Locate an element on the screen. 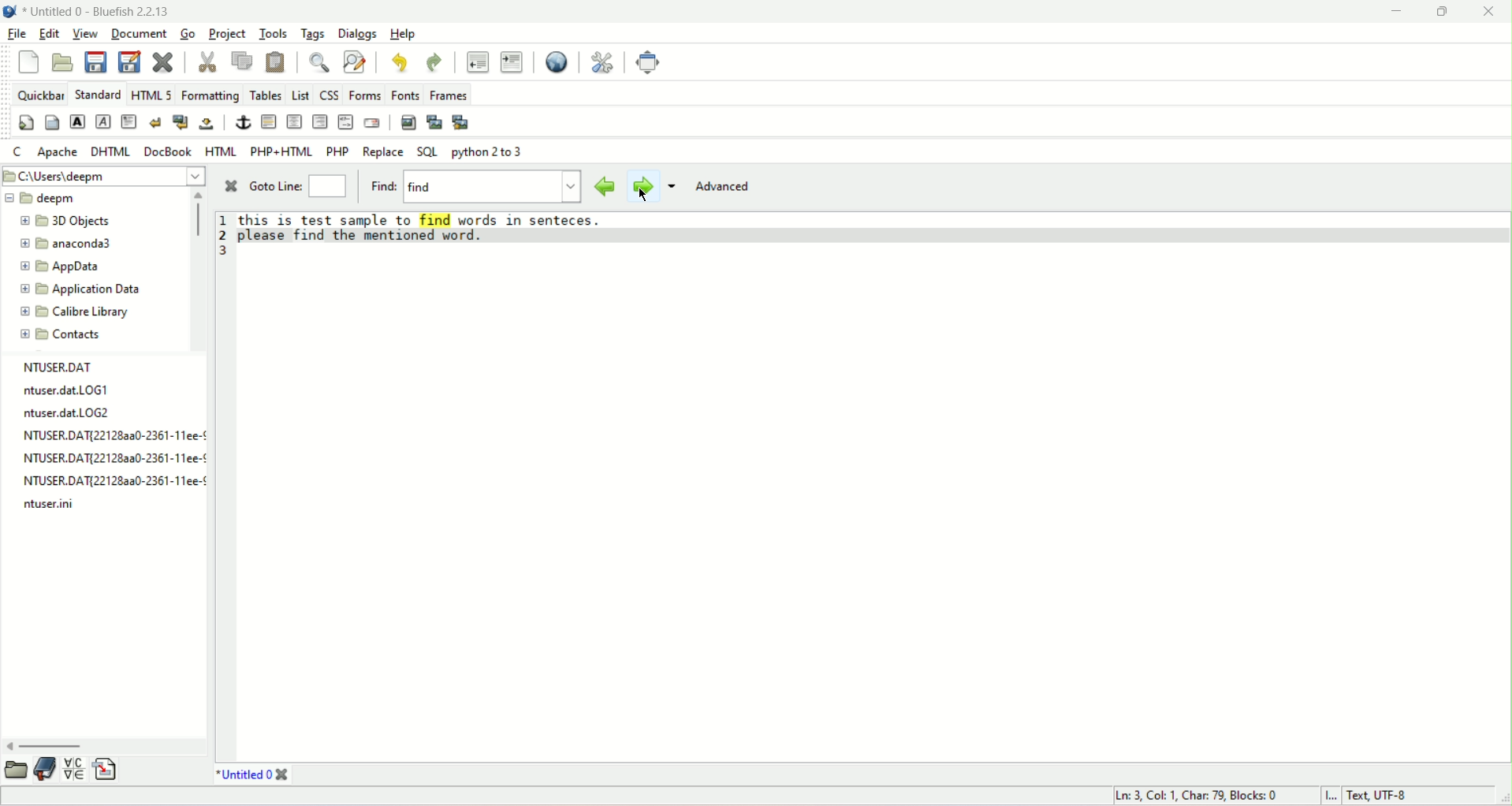 This screenshot has width=1512, height=806. current tab is located at coordinates (240, 774).